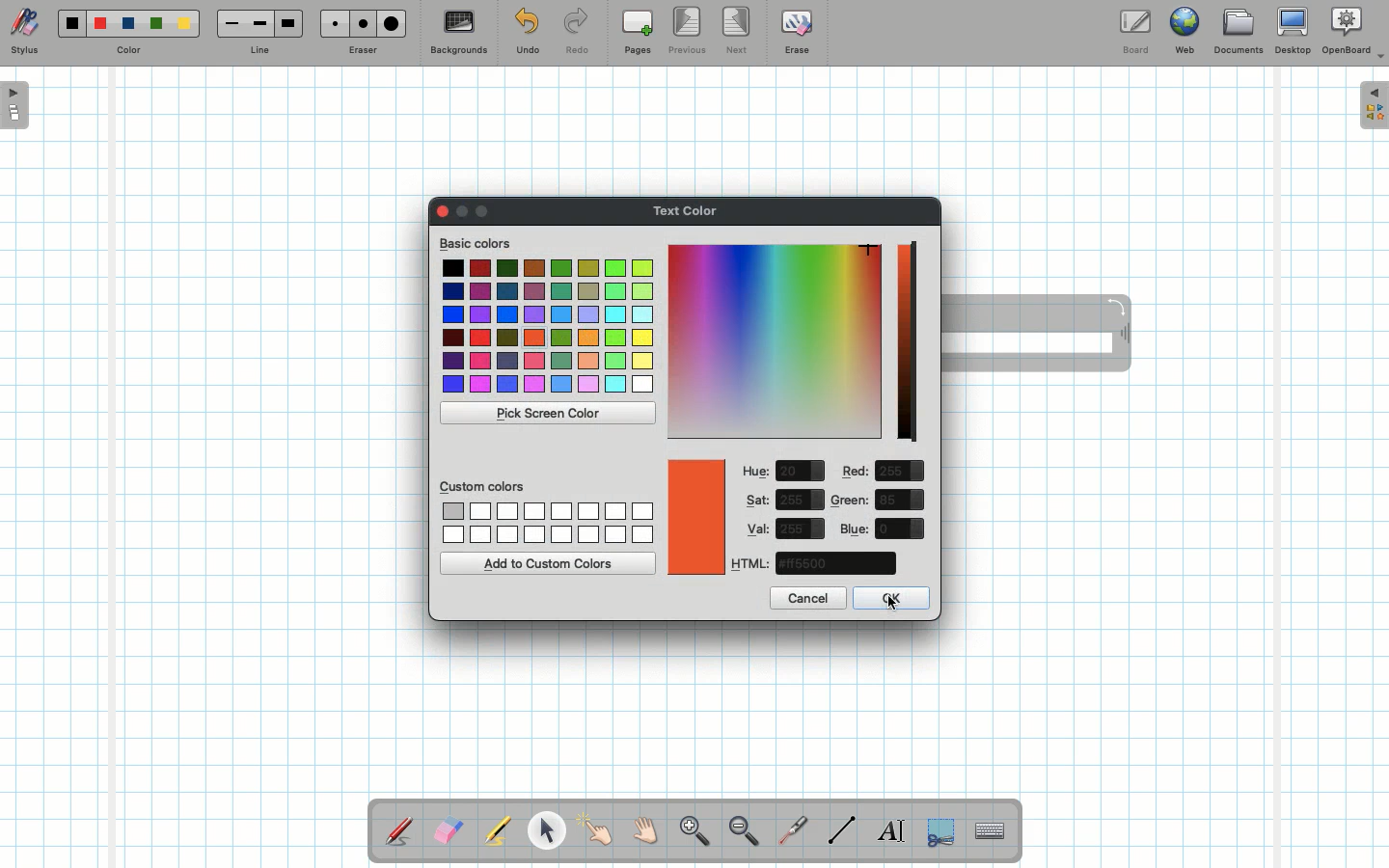 Image resolution: width=1389 pixels, height=868 pixels. I want to click on Eraser, so click(362, 52).